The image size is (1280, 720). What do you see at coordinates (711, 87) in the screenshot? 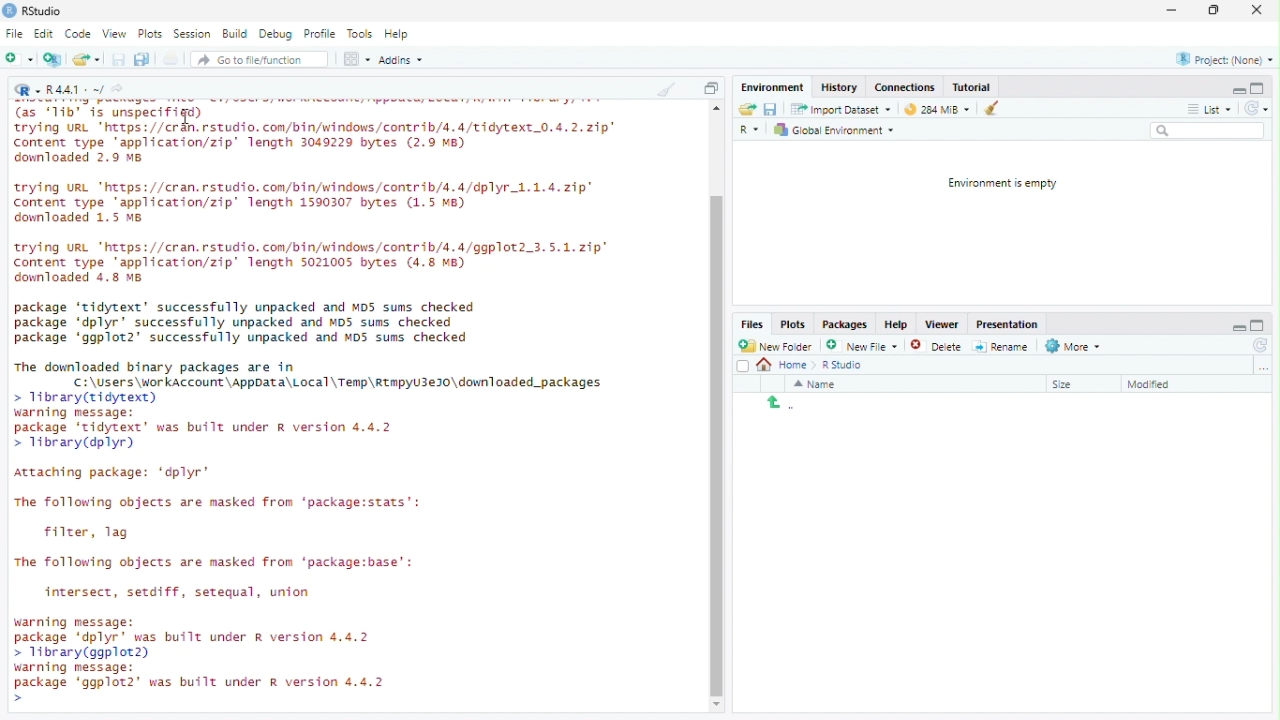
I see `Copy` at bounding box center [711, 87].